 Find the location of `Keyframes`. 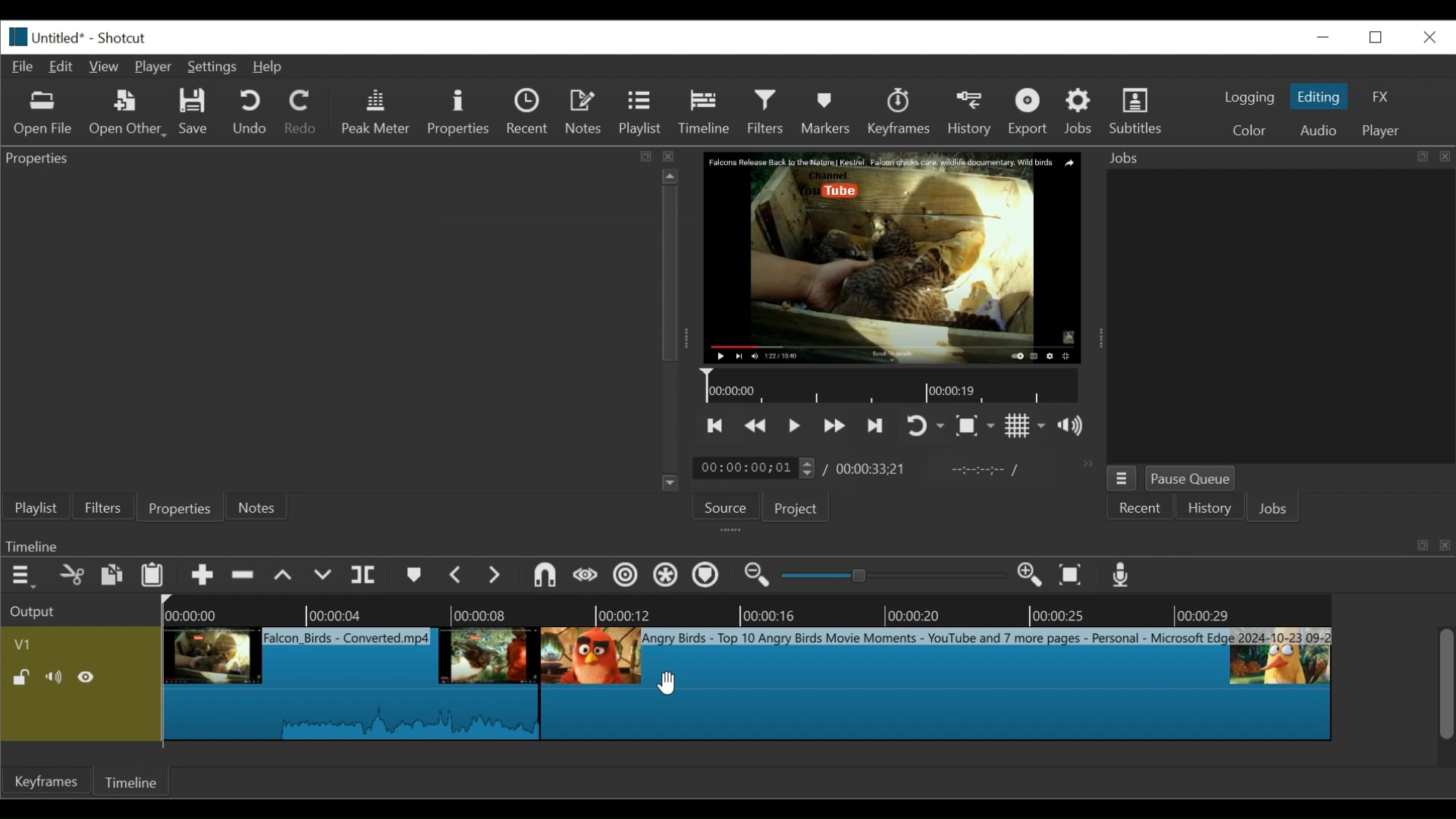

Keyframes is located at coordinates (899, 112).